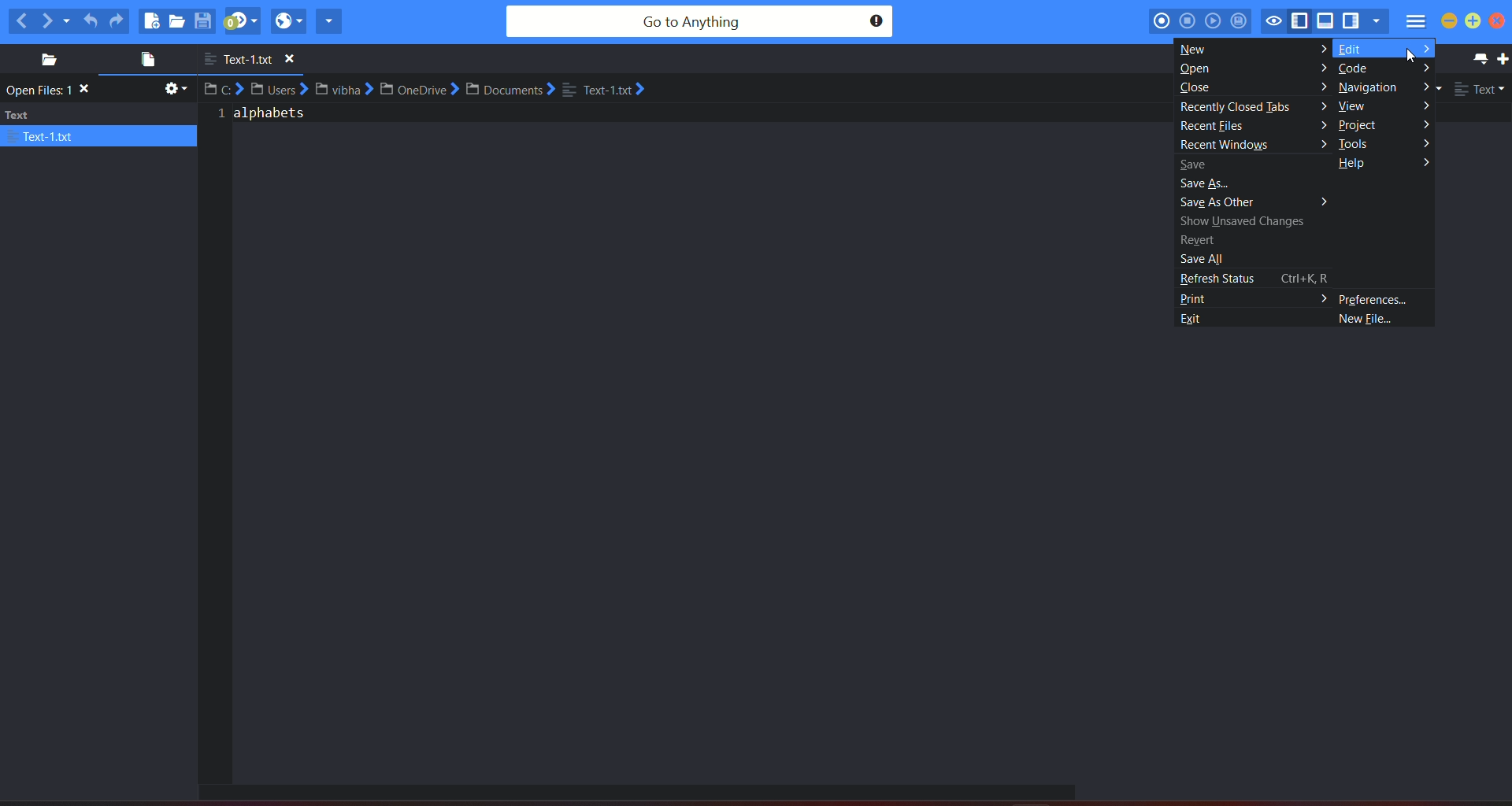  I want to click on view, so click(1355, 105).